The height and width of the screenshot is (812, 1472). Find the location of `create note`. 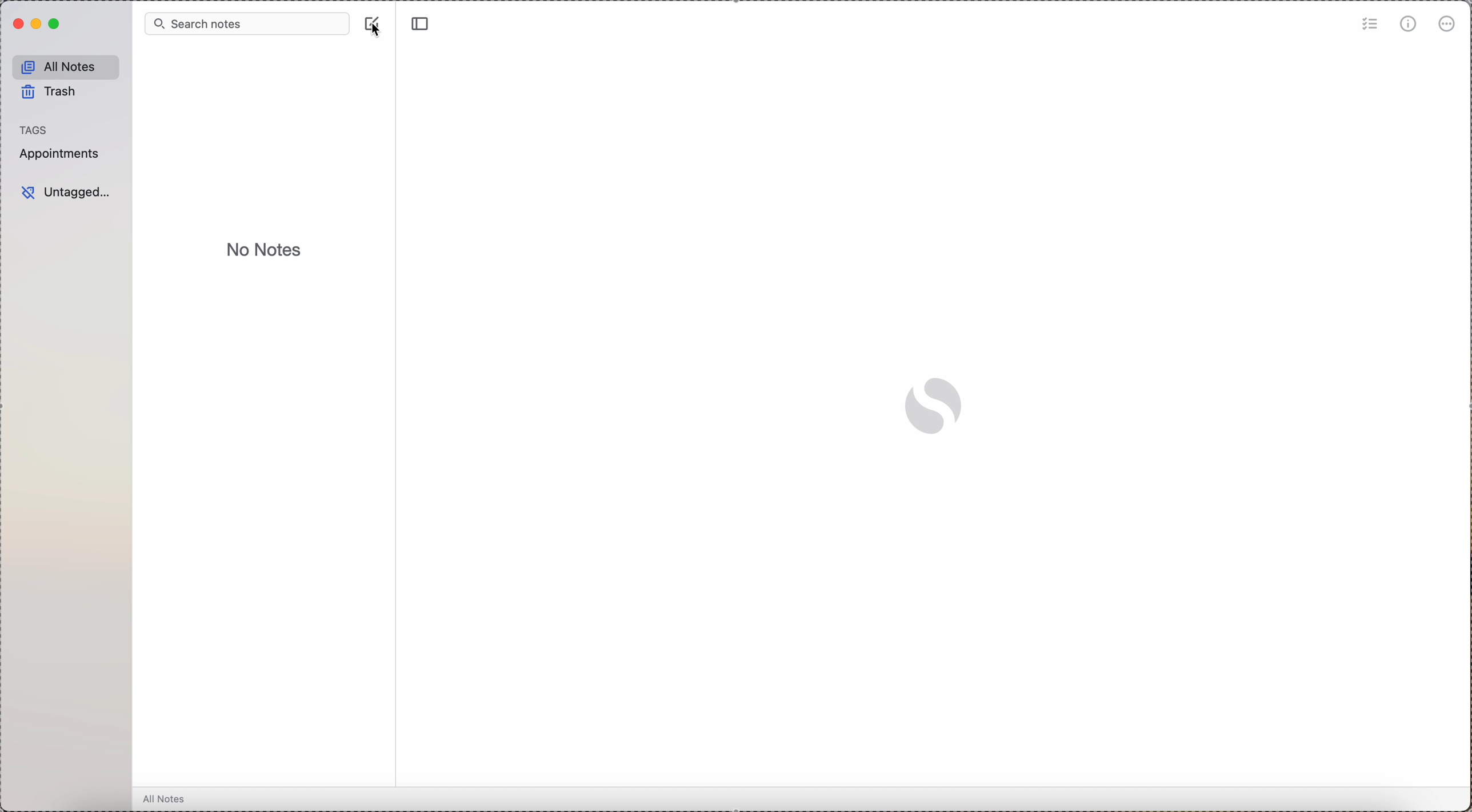

create note is located at coordinates (371, 19).